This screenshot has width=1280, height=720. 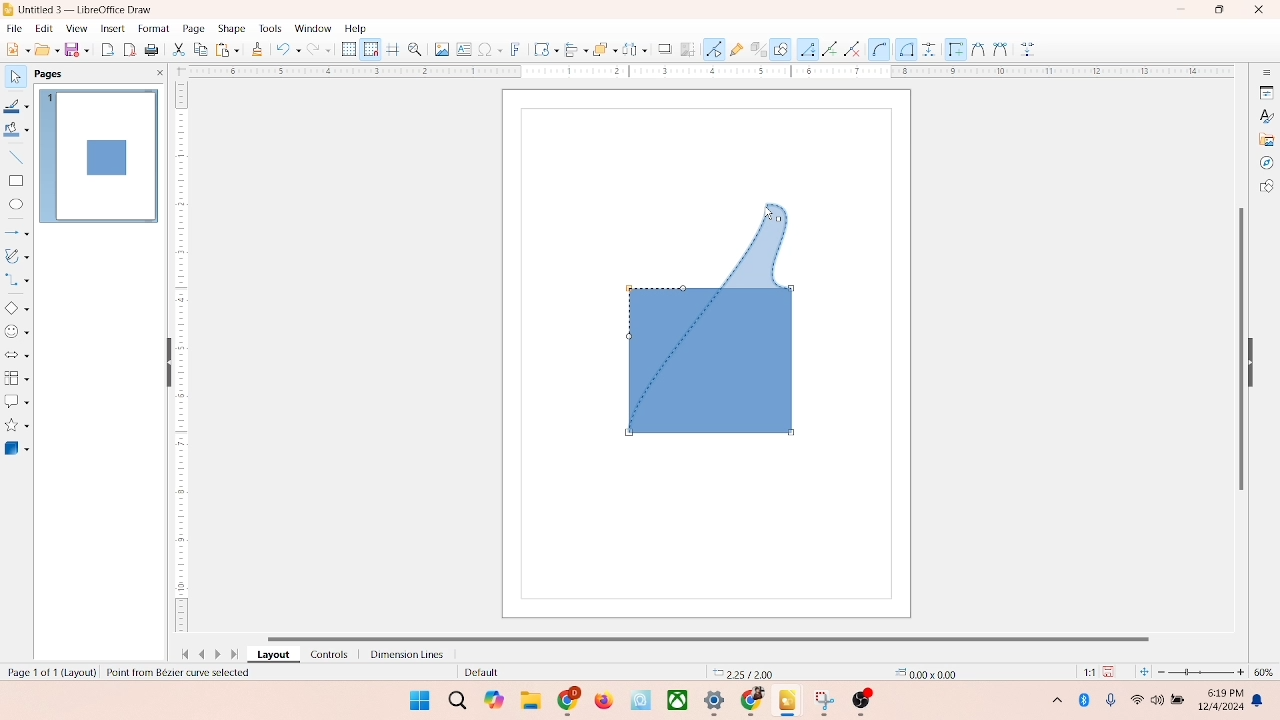 What do you see at coordinates (1267, 672) in the screenshot?
I see `zoom percentage` at bounding box center [1267, 672].